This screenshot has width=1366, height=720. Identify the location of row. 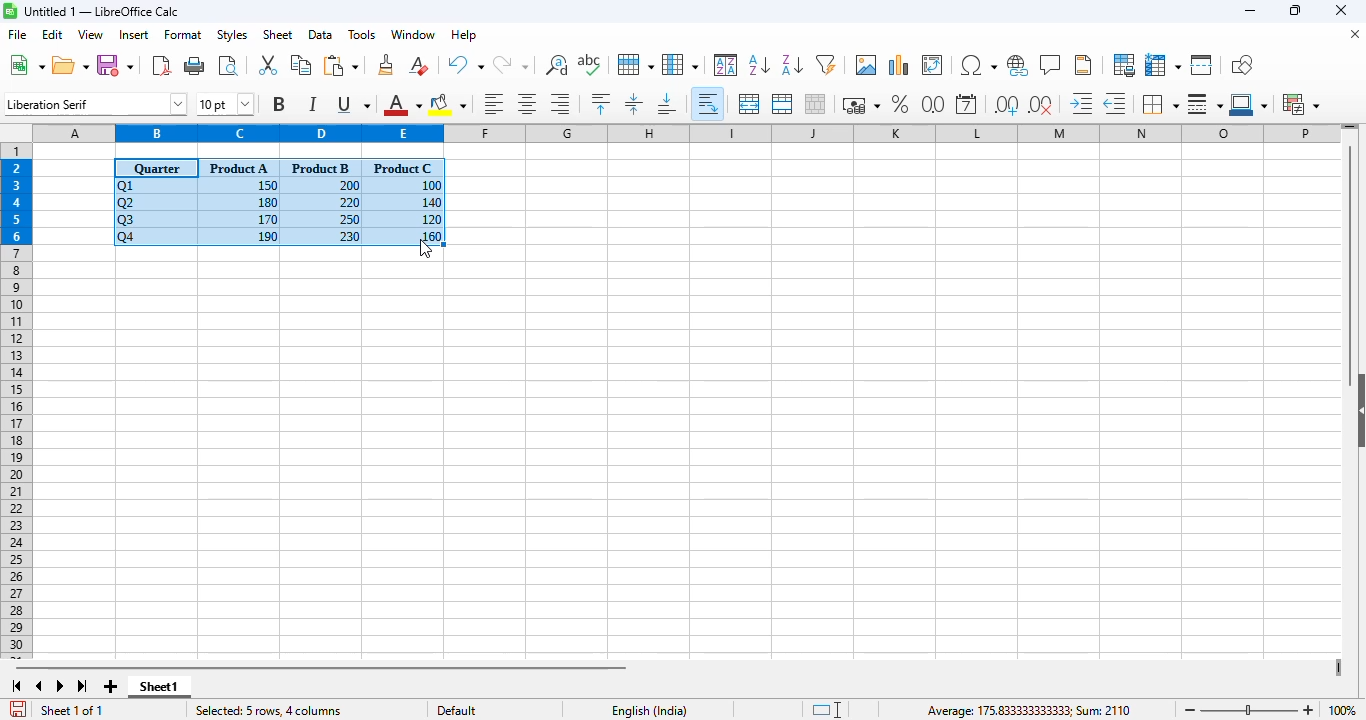
(636, 65).